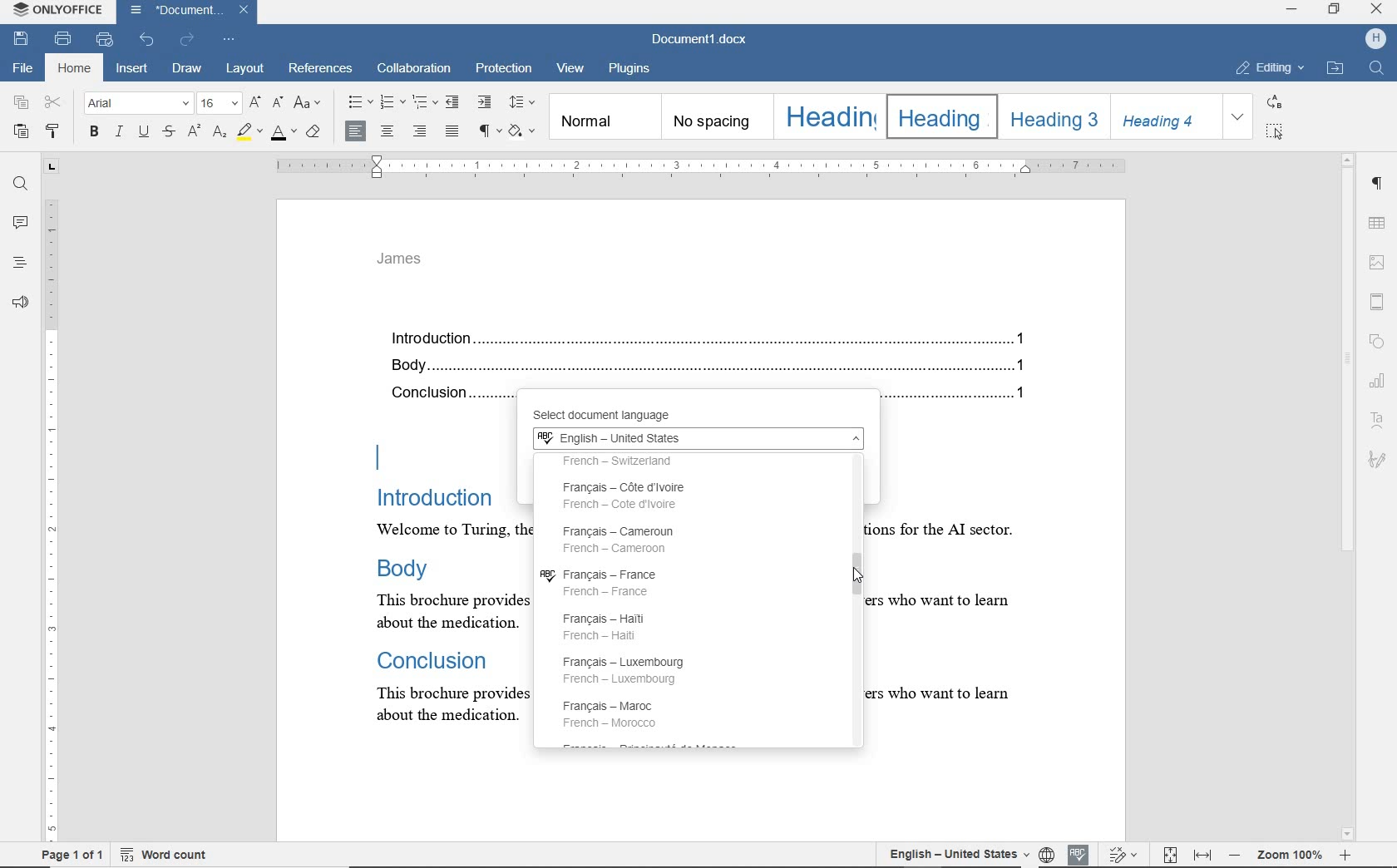 This screenshot has height=868, width=1397. What do you see at coordinates (1381, 378) in the screenshot?
I see `charts` at bounding box center [1381, 378].